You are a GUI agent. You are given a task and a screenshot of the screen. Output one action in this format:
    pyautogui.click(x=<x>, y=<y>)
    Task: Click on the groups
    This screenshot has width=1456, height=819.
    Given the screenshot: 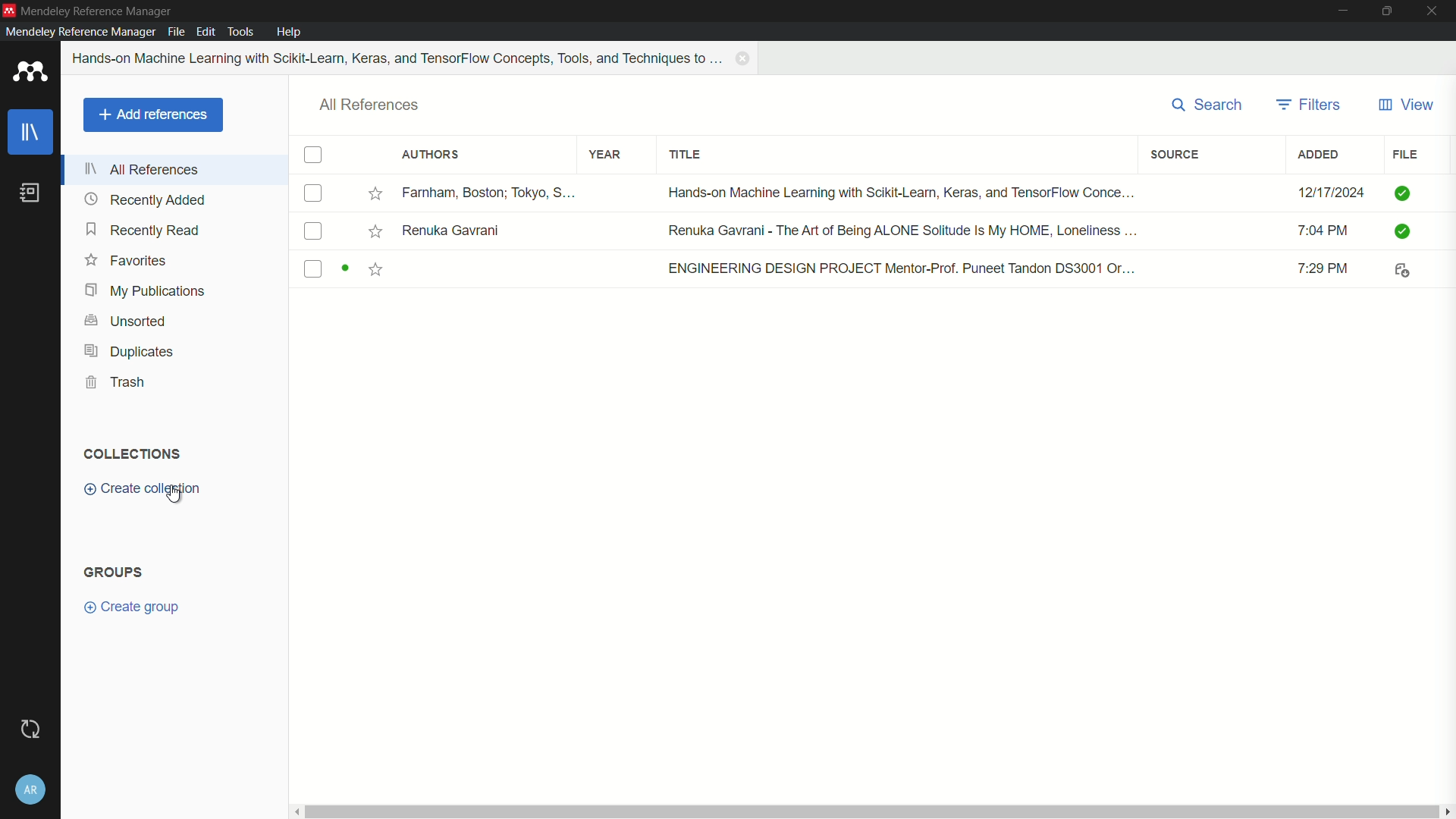 What is the action you would take?
    pyautogui.click(x=115, y=571)
    